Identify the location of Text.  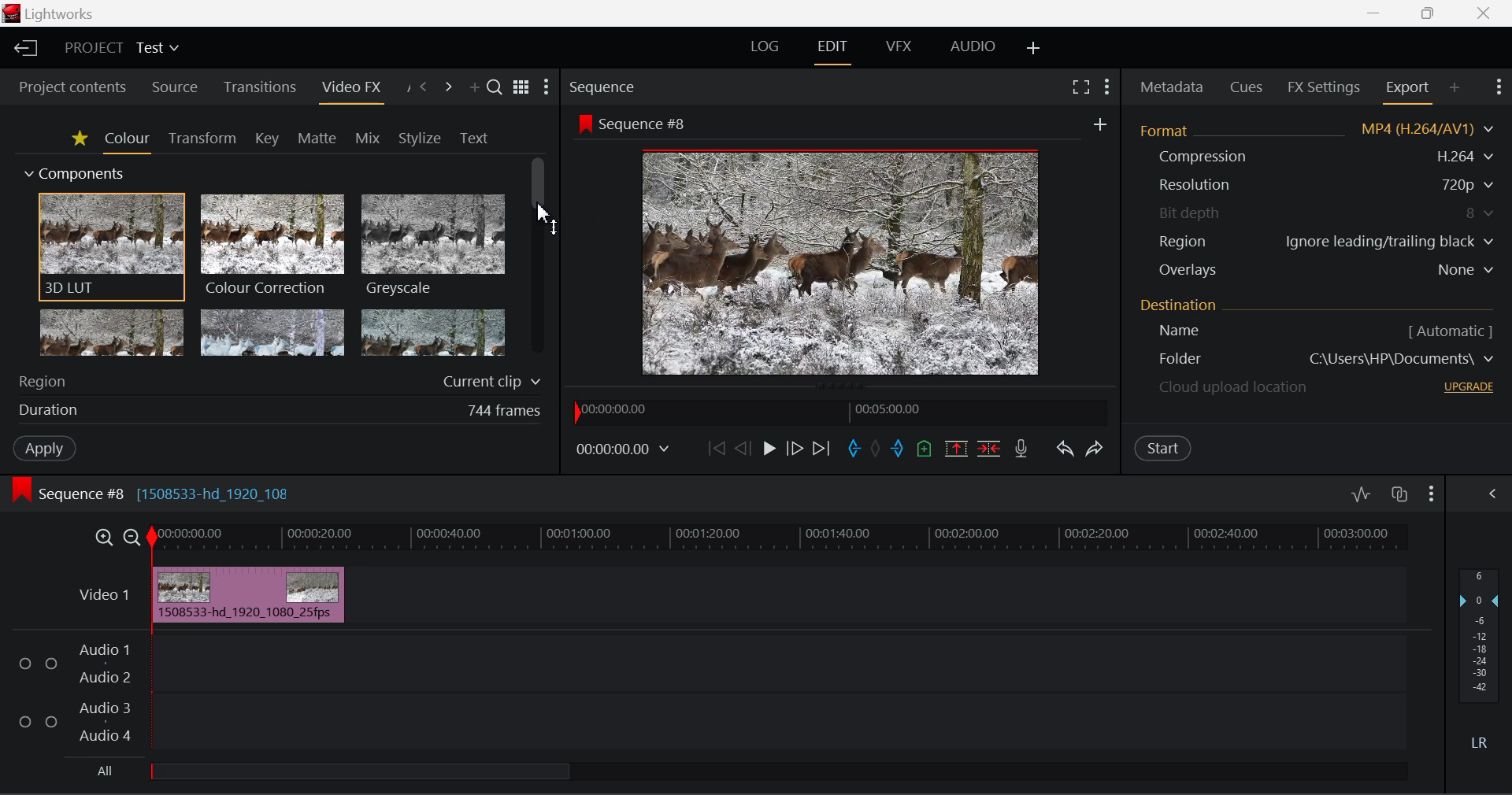
(471, 137).